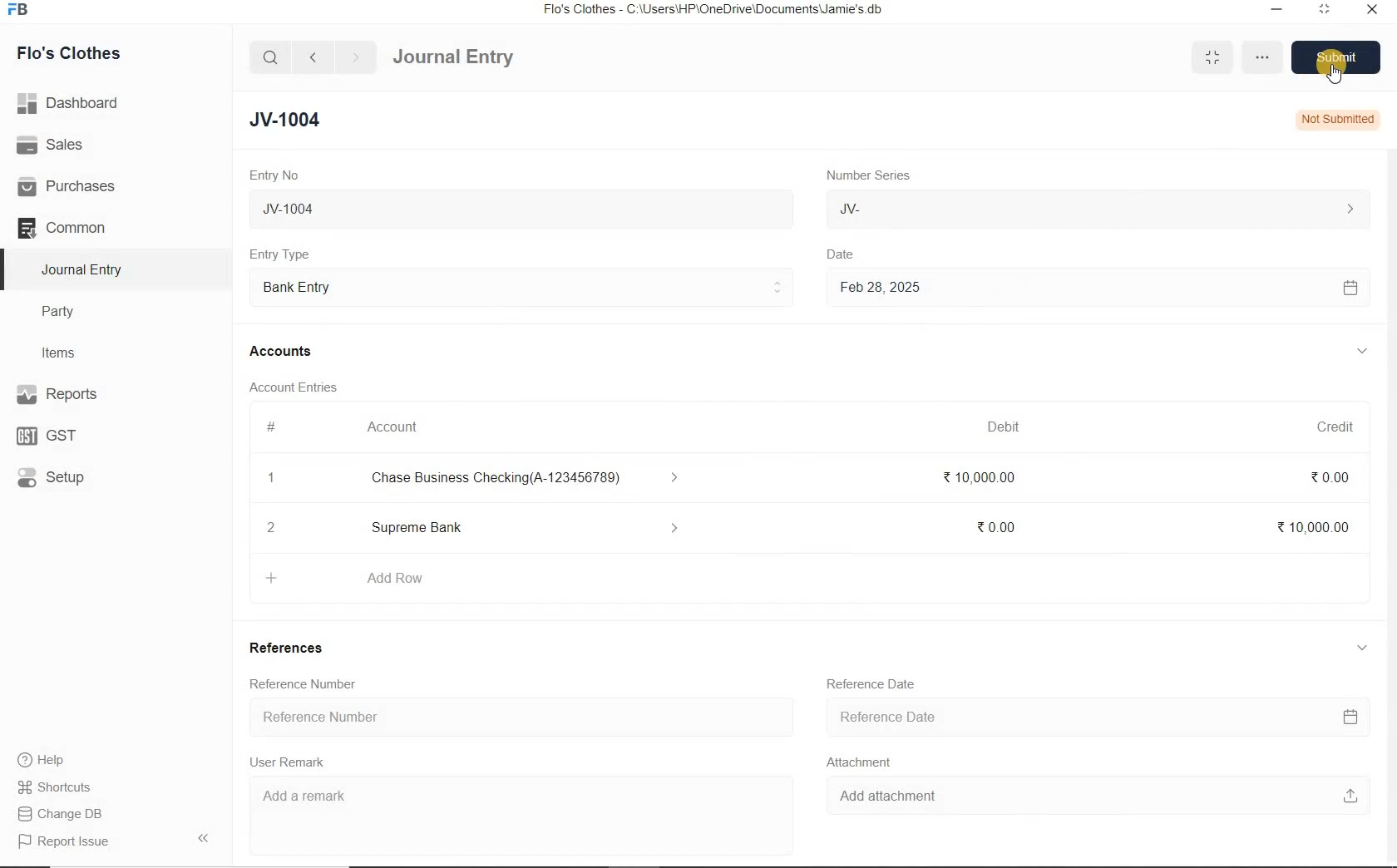  I want to click on search, so click(271, 57).